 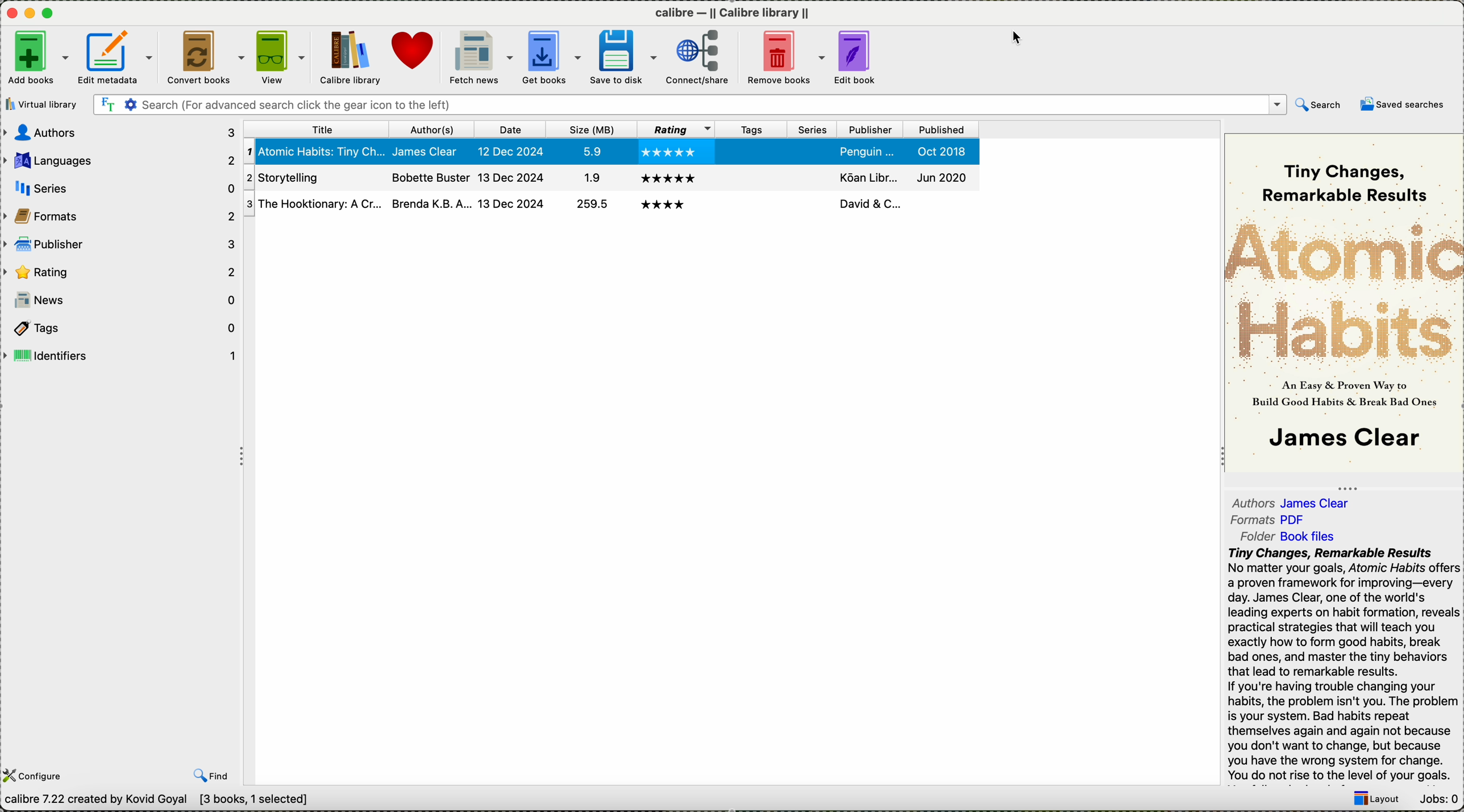 What do you see at coordinates (748, 207) in the screenshot?
I see `tags` at bounding box center [748, 207].